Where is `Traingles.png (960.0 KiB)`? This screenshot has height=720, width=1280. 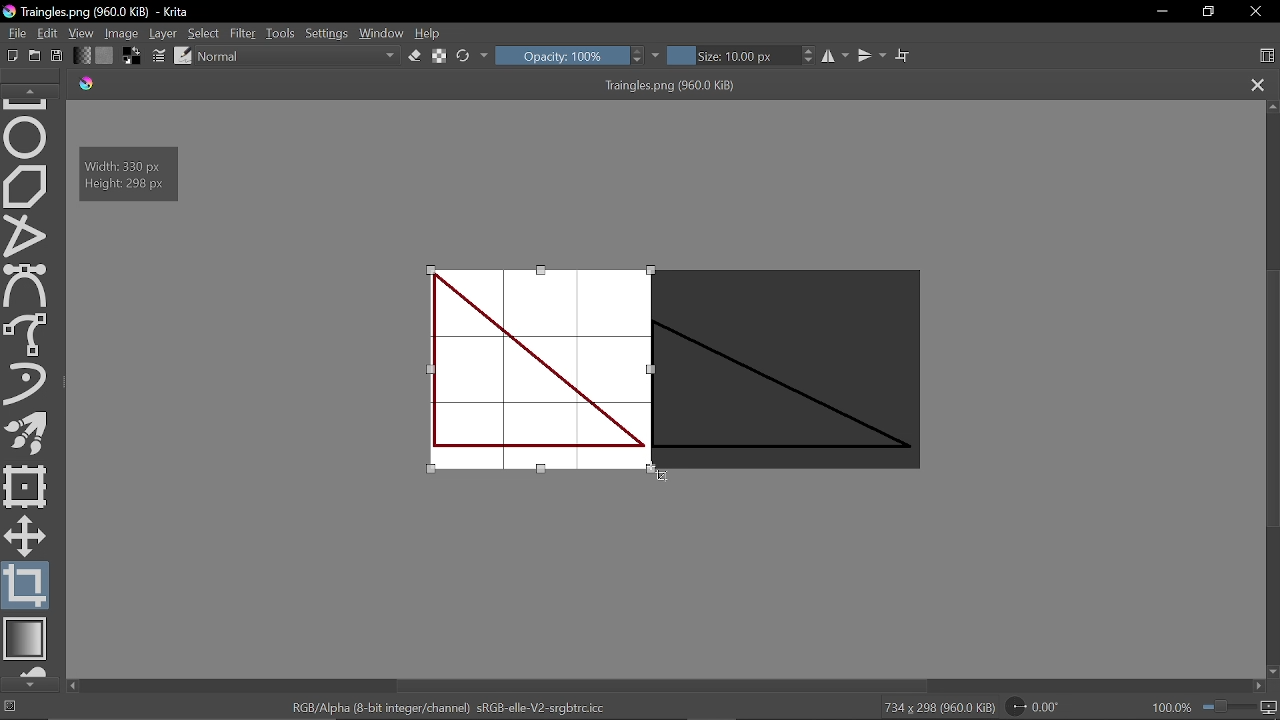 Traingles.png (960.0 KiB) is located at coordinates (648, 86).